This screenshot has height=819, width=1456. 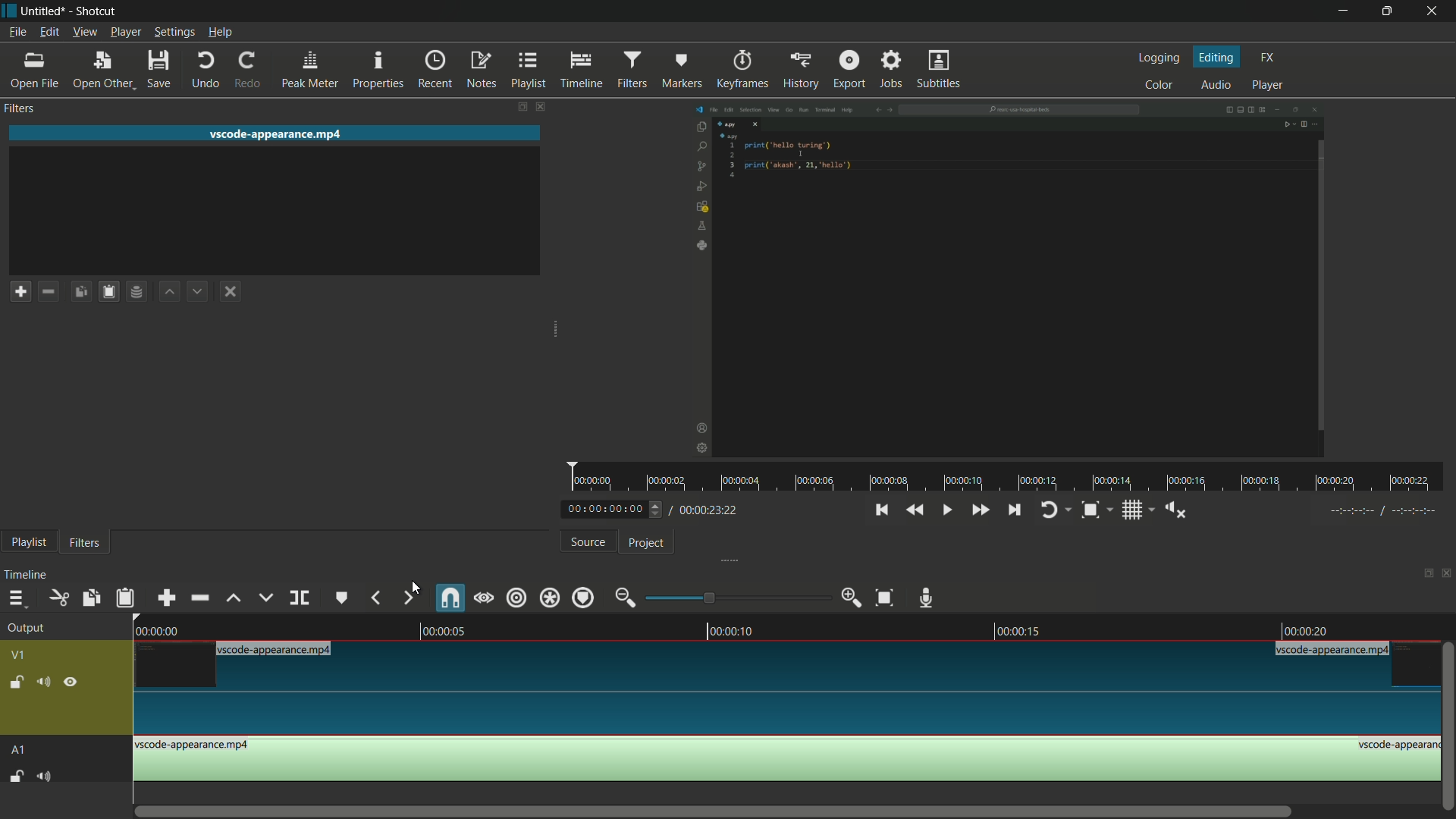 What do you see at coordinates (221, 33) in the screenshot?
I see `help menu` at bounding box center [221, 33].